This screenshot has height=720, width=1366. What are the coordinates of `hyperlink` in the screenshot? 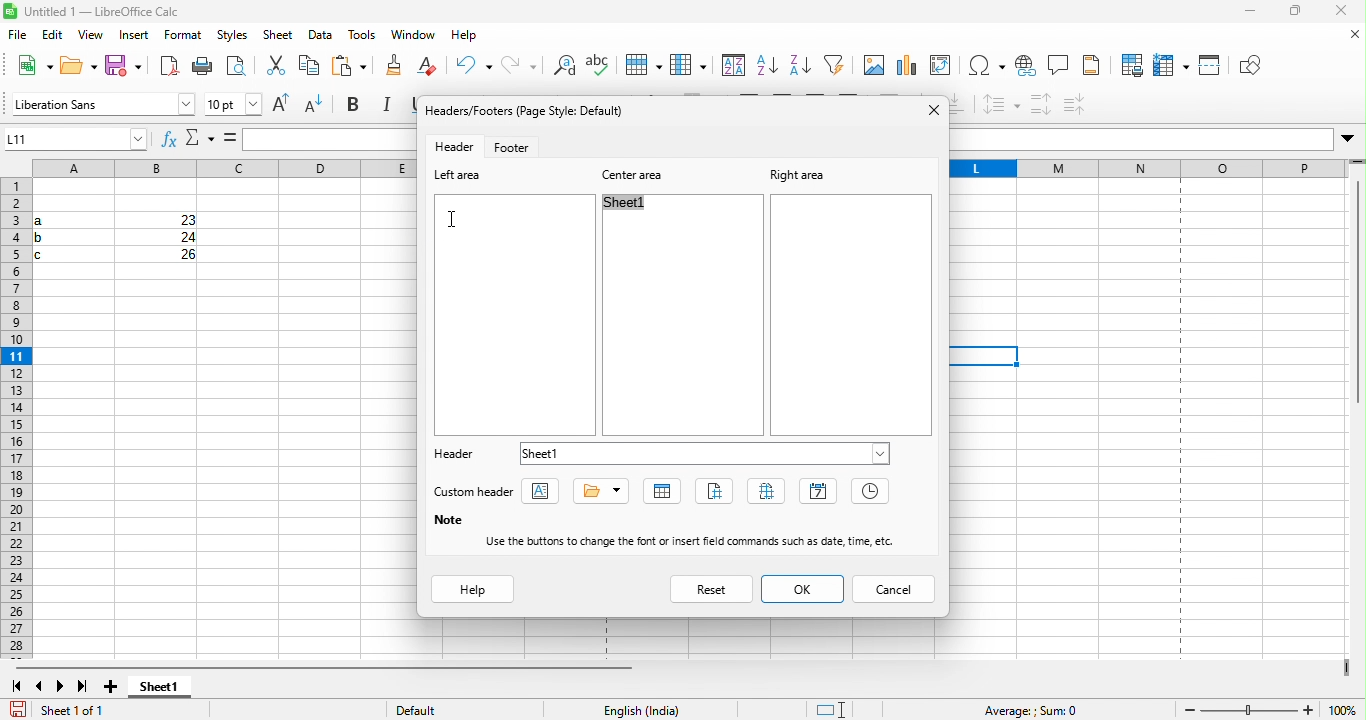 It's located at (1025, 69).